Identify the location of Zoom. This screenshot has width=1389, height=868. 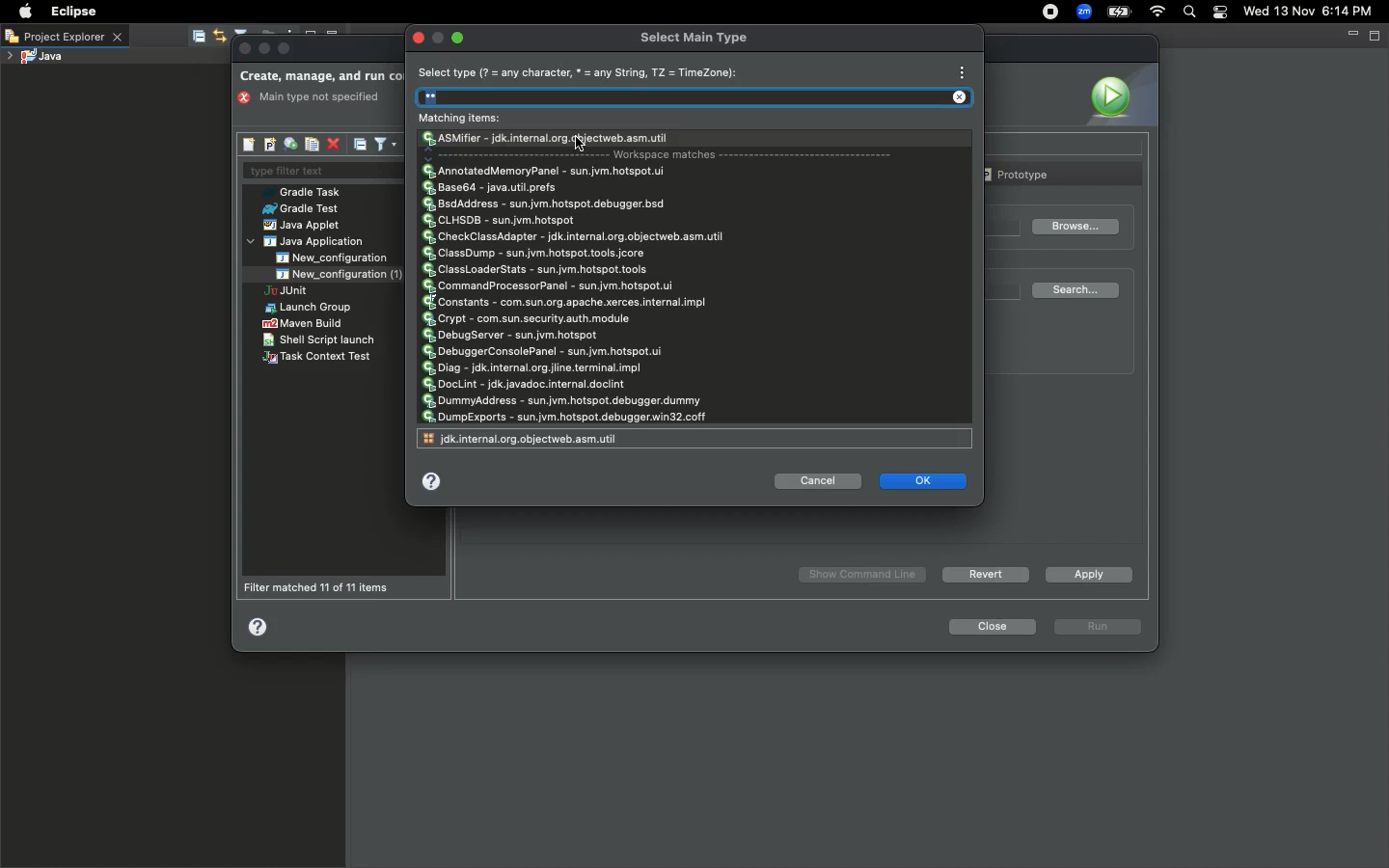
(1081, 14).